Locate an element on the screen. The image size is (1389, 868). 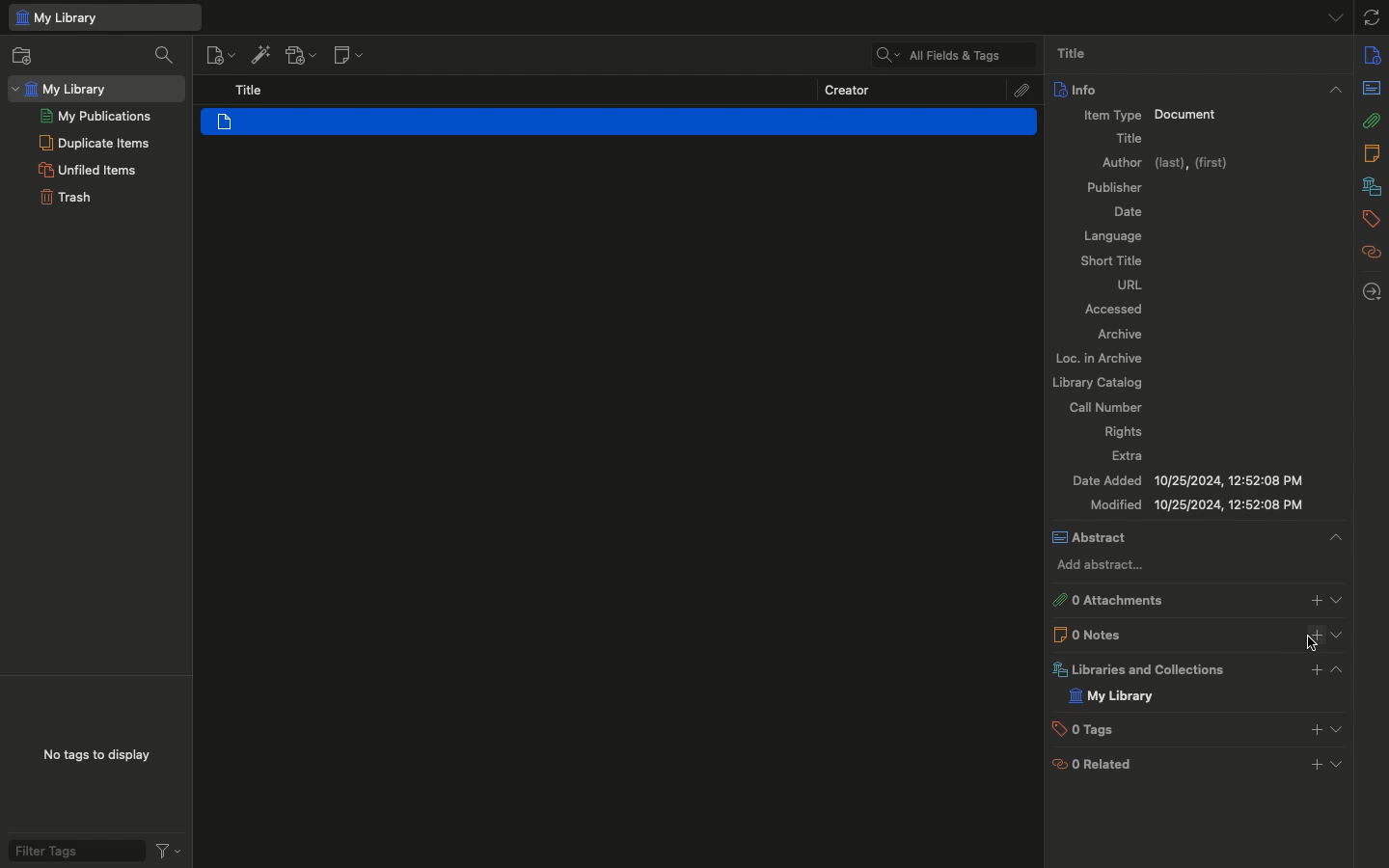
Tags is located at coordinates (1374, 220).